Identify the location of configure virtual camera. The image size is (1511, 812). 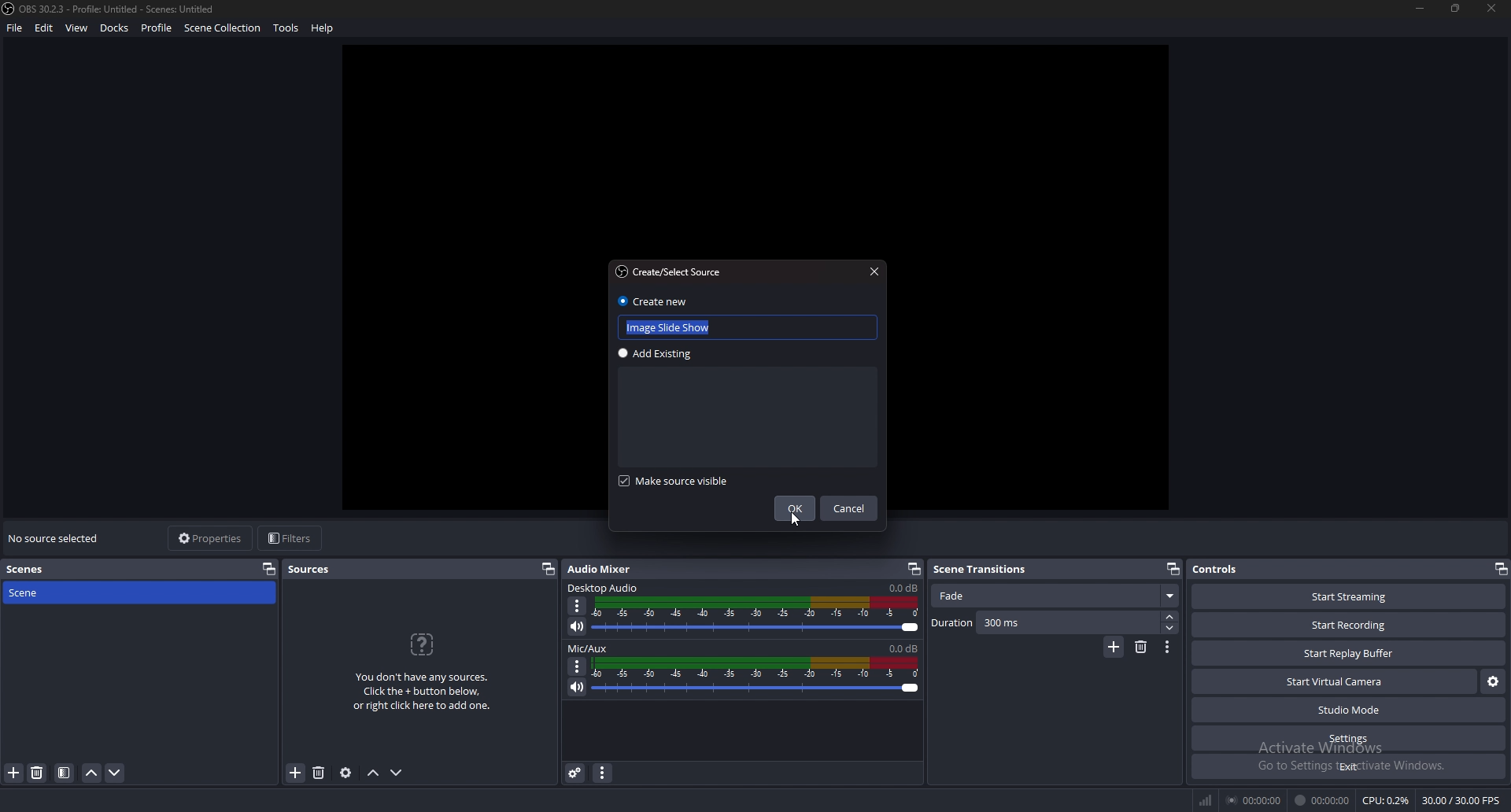
(1492, 681).